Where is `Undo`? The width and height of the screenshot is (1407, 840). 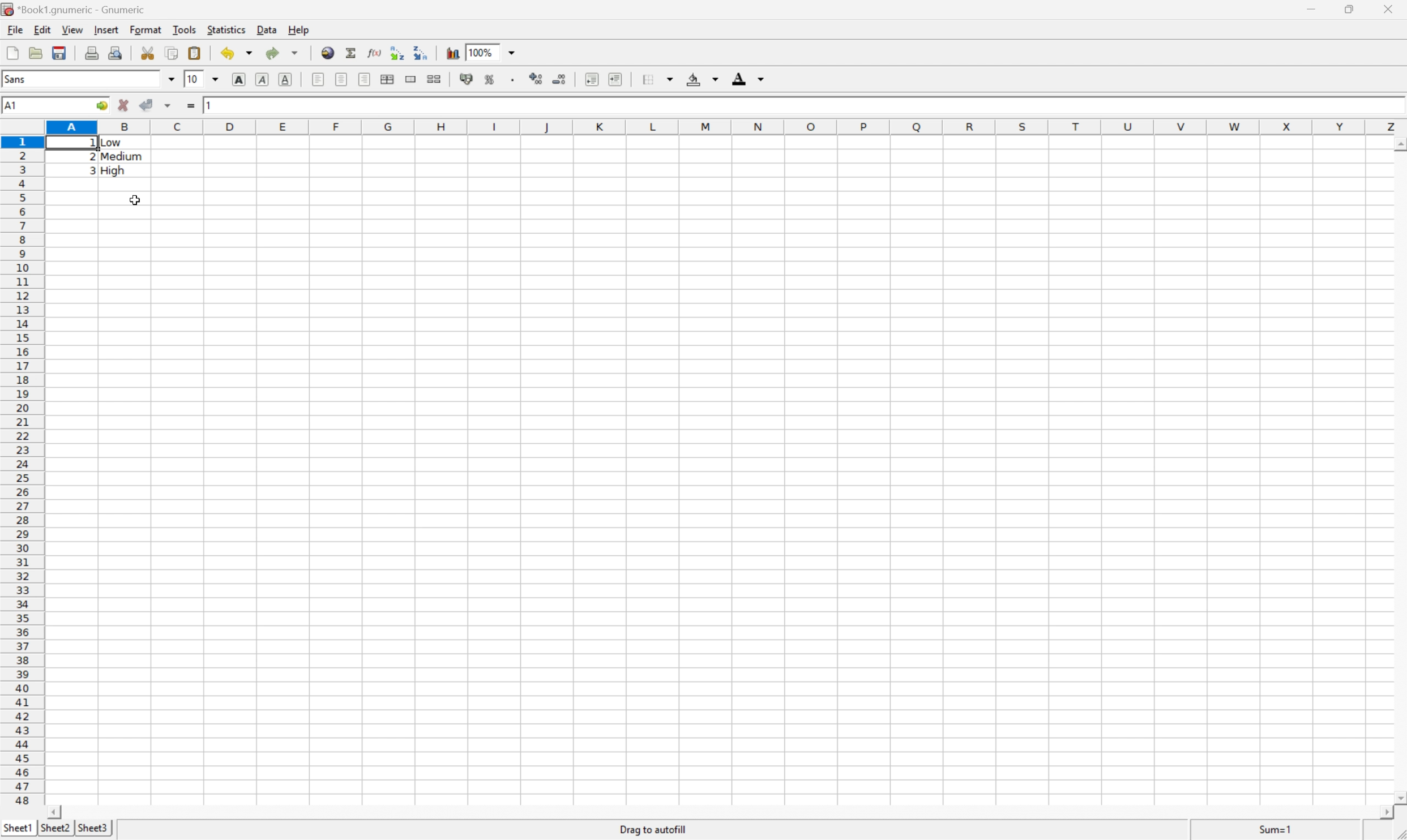
Undo is located at coordinates (232, 53).